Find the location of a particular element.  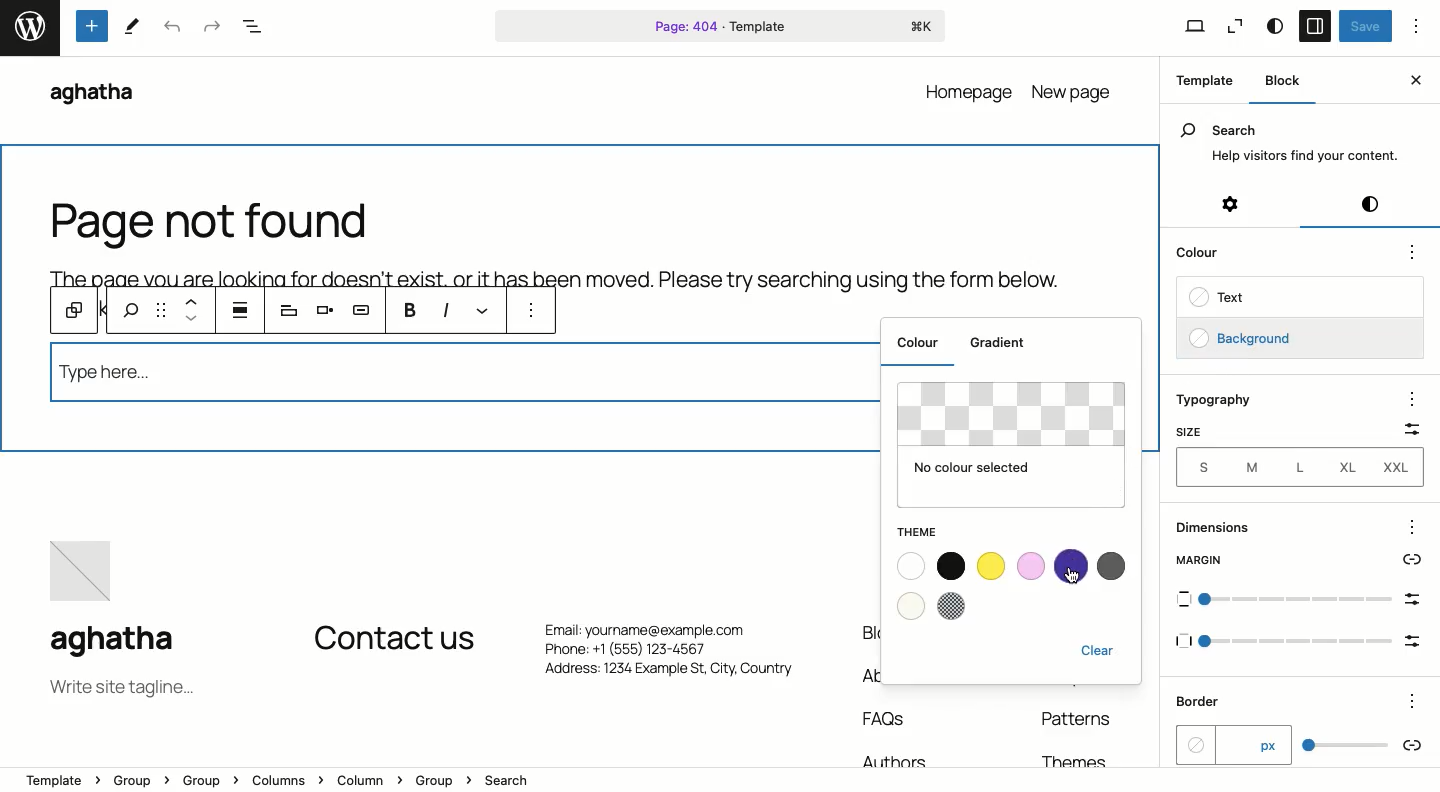

Settings is located at coordinates (1234, 209).